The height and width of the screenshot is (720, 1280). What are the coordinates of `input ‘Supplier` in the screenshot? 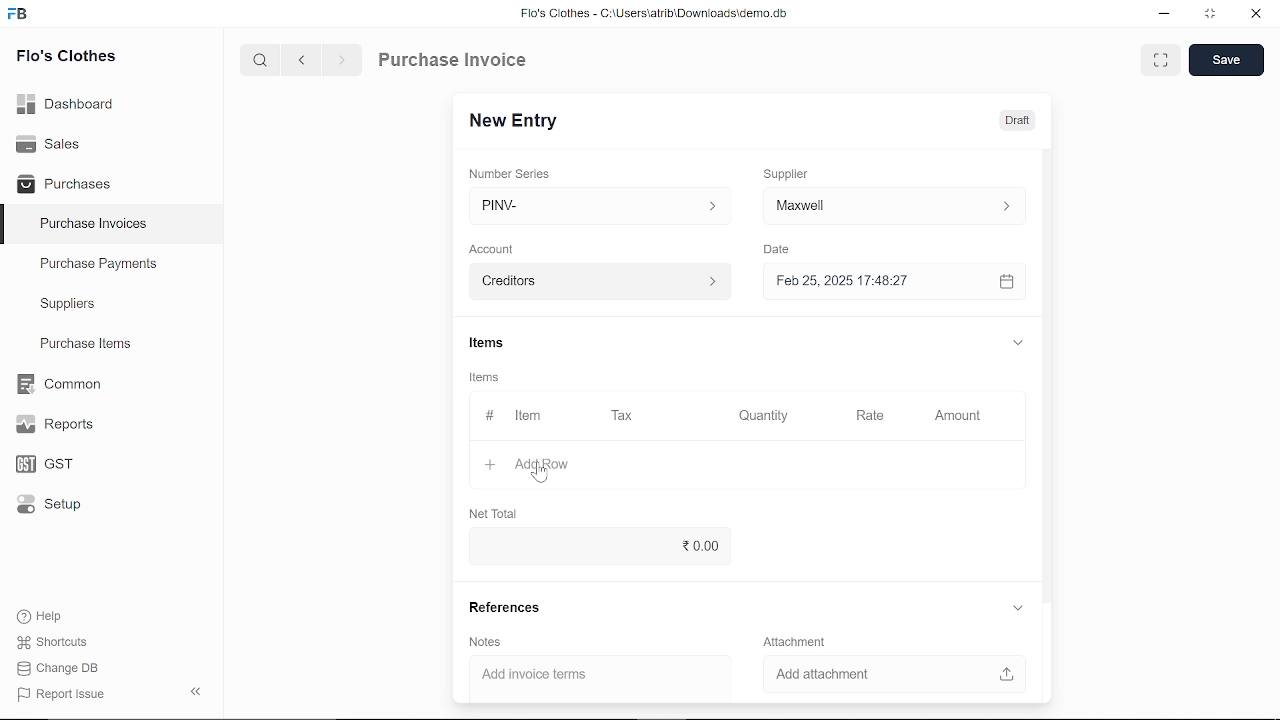 It's located at (894, 204).